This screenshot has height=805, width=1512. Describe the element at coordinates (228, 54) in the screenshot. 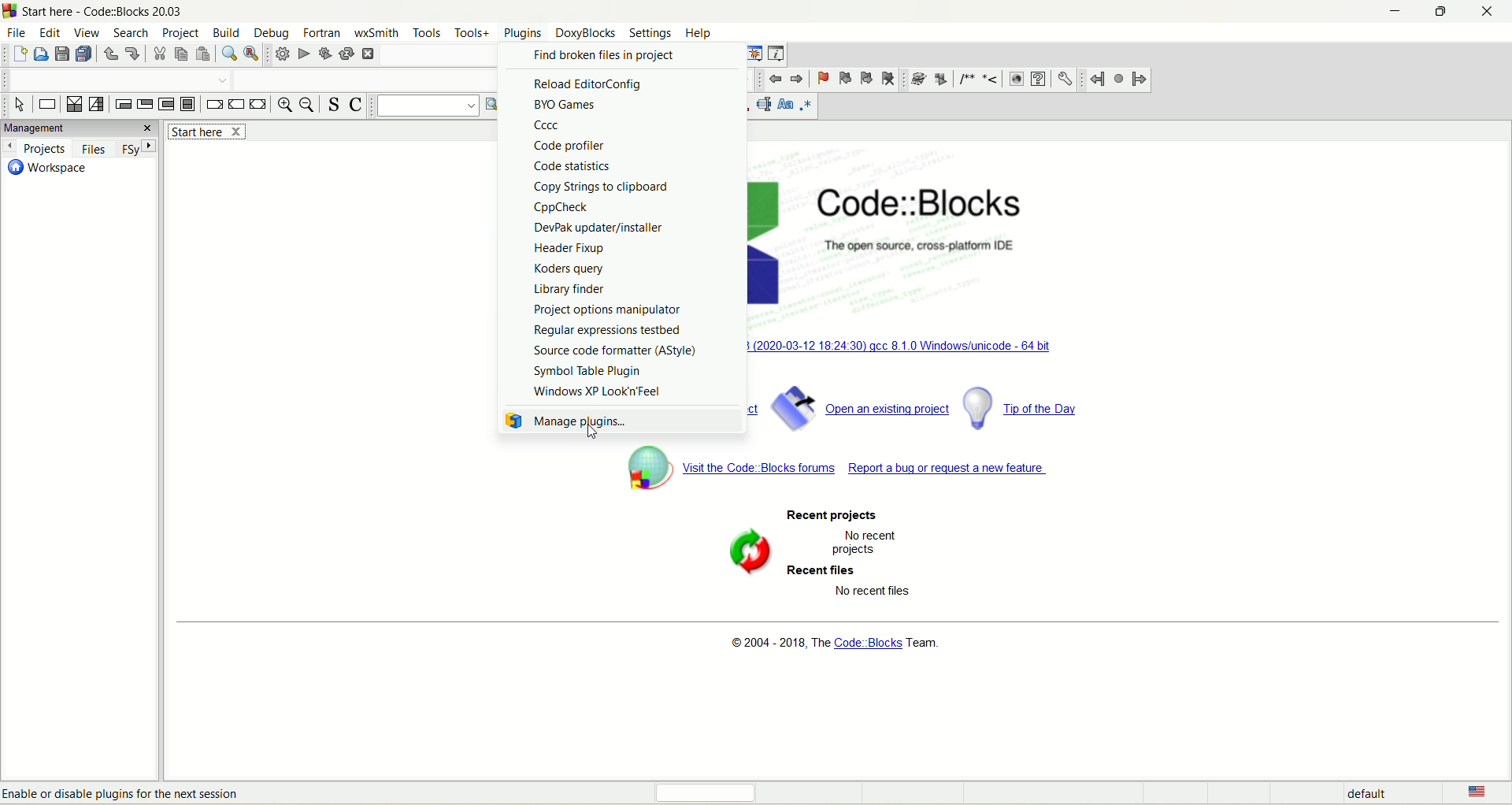

I see `find` at that location.